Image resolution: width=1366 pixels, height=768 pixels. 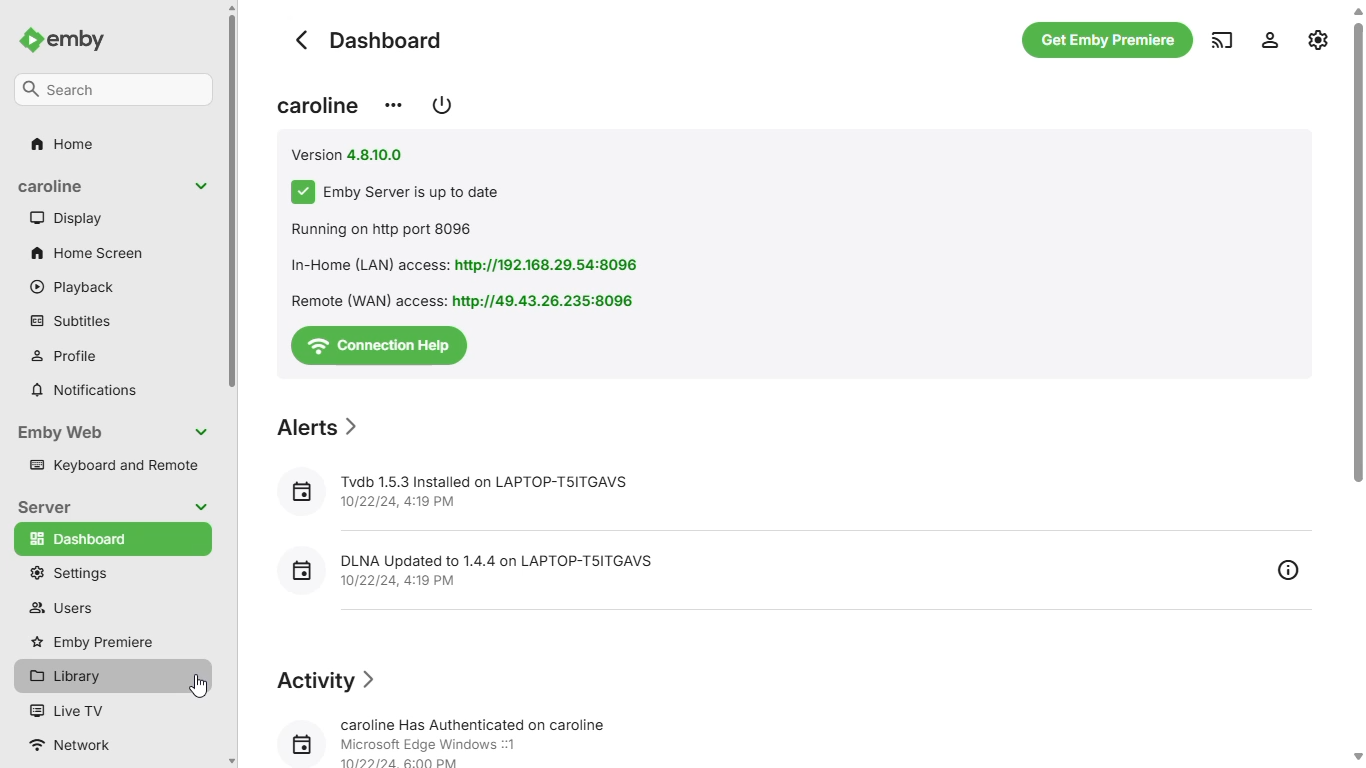 I want to click on network, so click(x=80, y=744).